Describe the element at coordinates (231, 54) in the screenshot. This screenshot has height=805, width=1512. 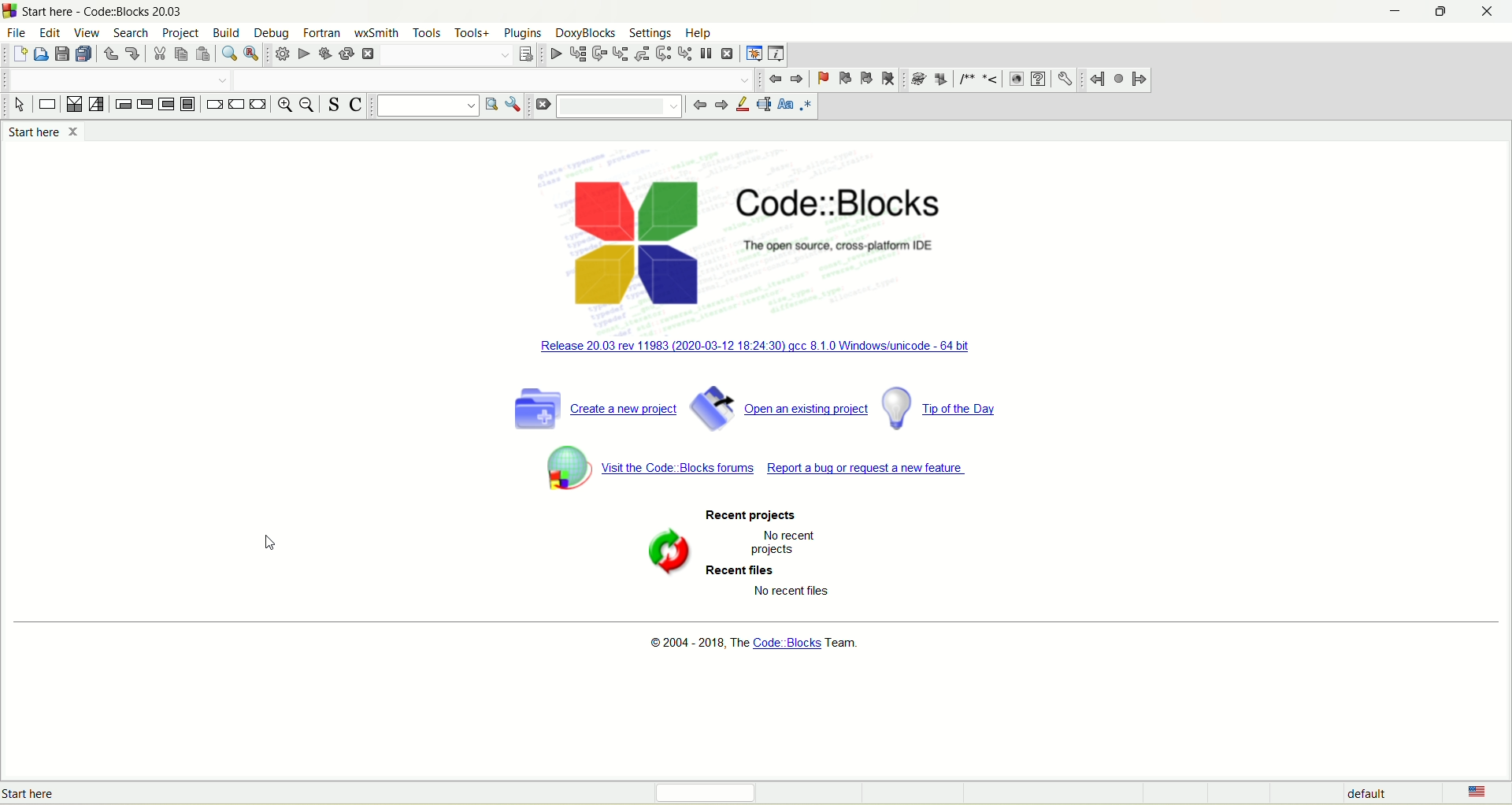
I see `find` at that location.